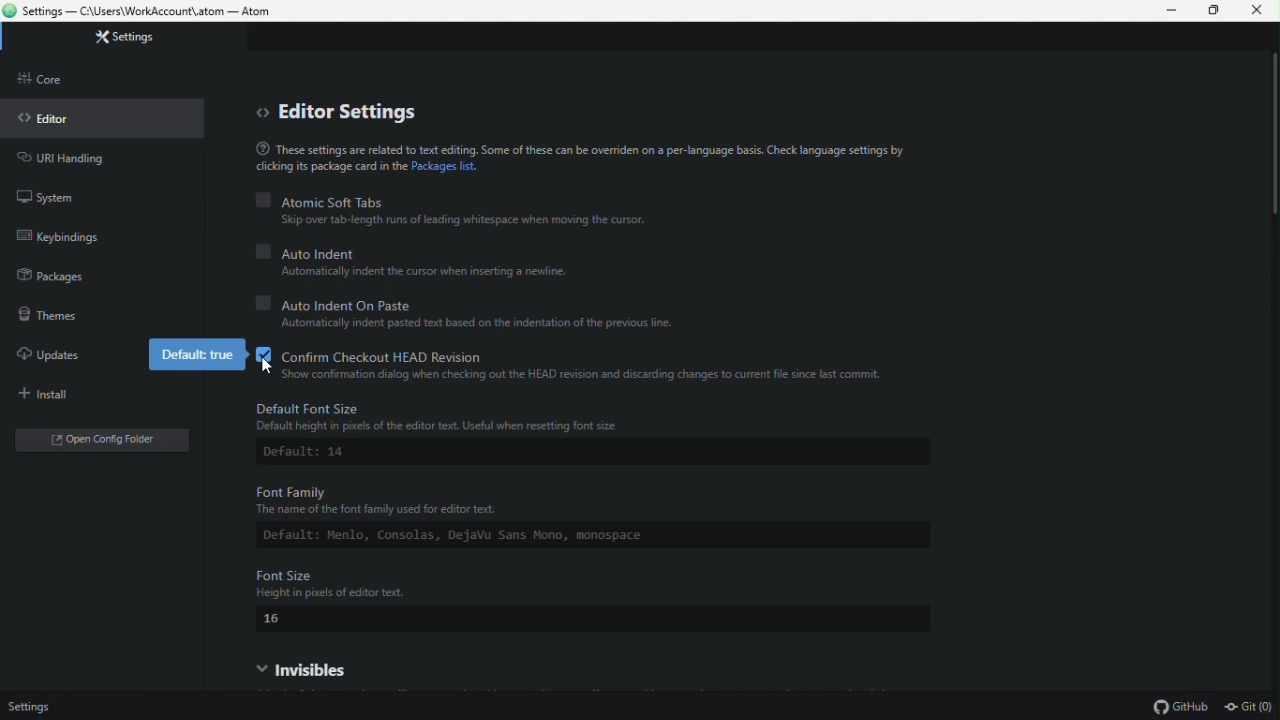 Image resolution: width=1280 pixels, height=720 pixels. Describe the element at coordinates (341, 109) in the screenshot. I see `editor settings` at that location.